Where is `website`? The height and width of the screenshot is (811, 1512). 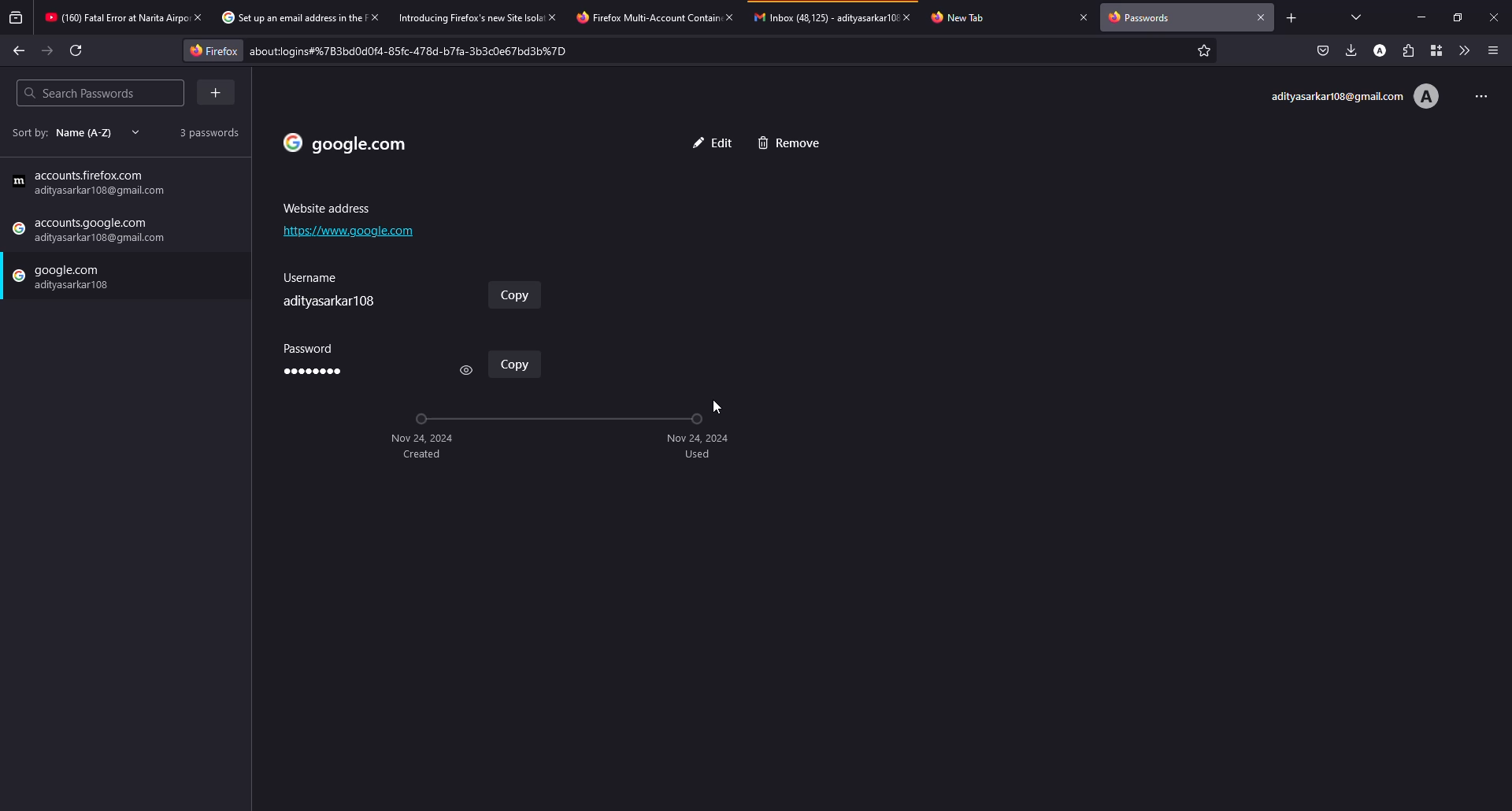
website is located at coordinates (353, 143).